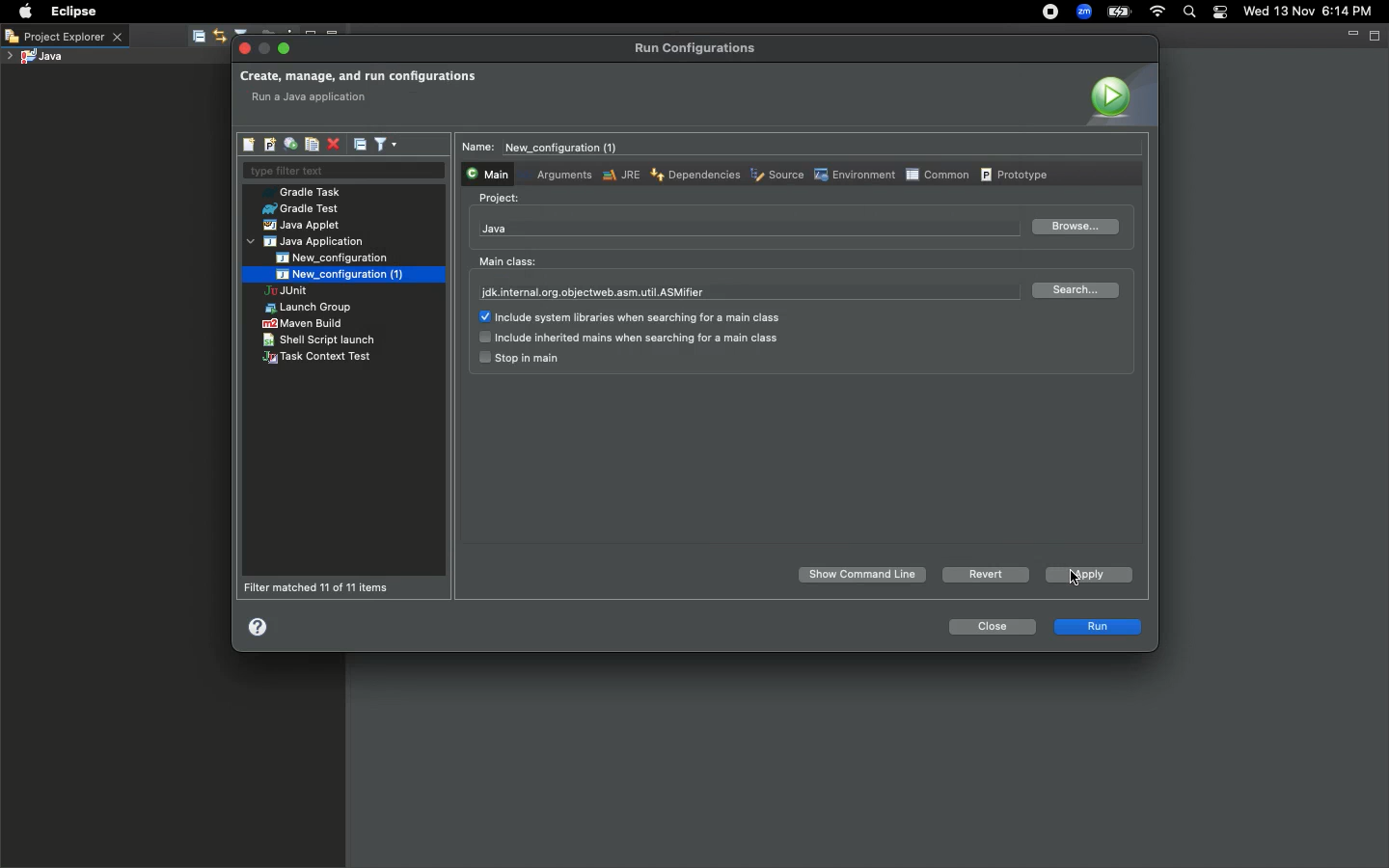 The height and width of the screenshot is (868, 1389). I want to click on Close, so click(246, 49).